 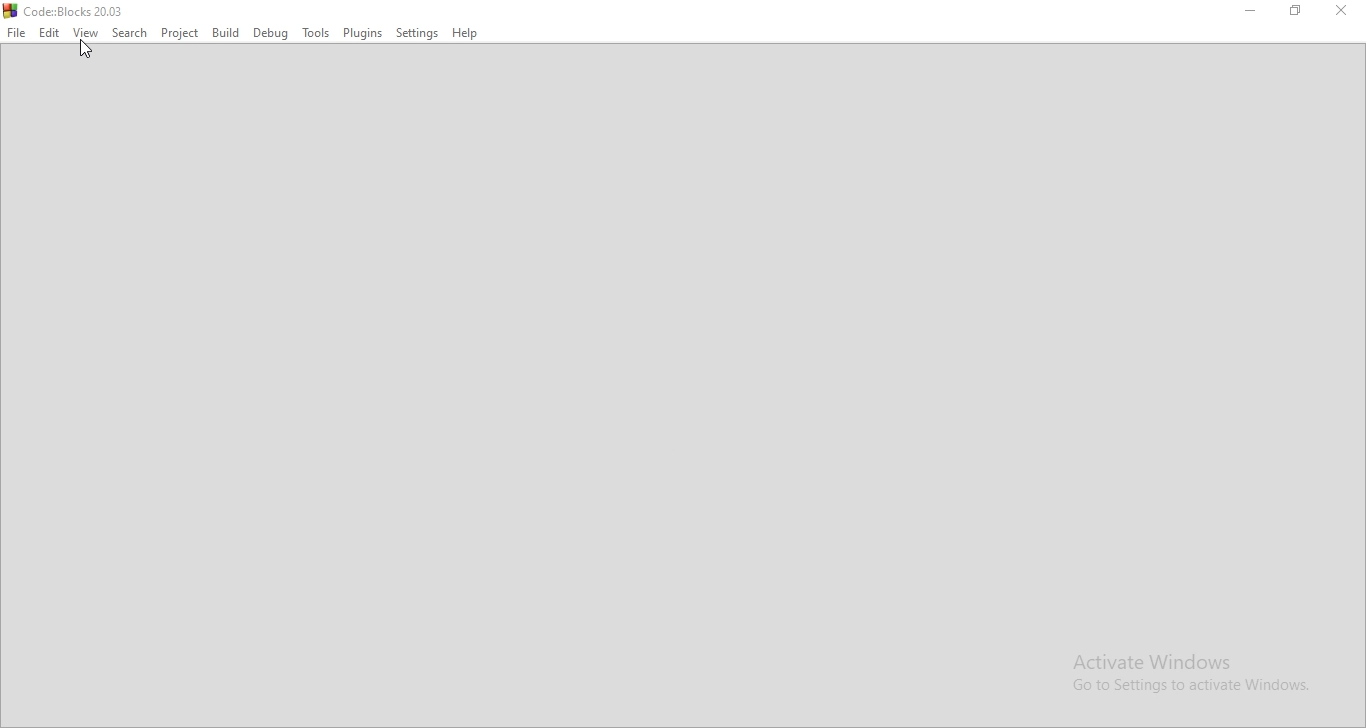 What do you see at coordinates (418, 33) in the screenshot?
I see `Settings ` at bounding box center [418, 33].